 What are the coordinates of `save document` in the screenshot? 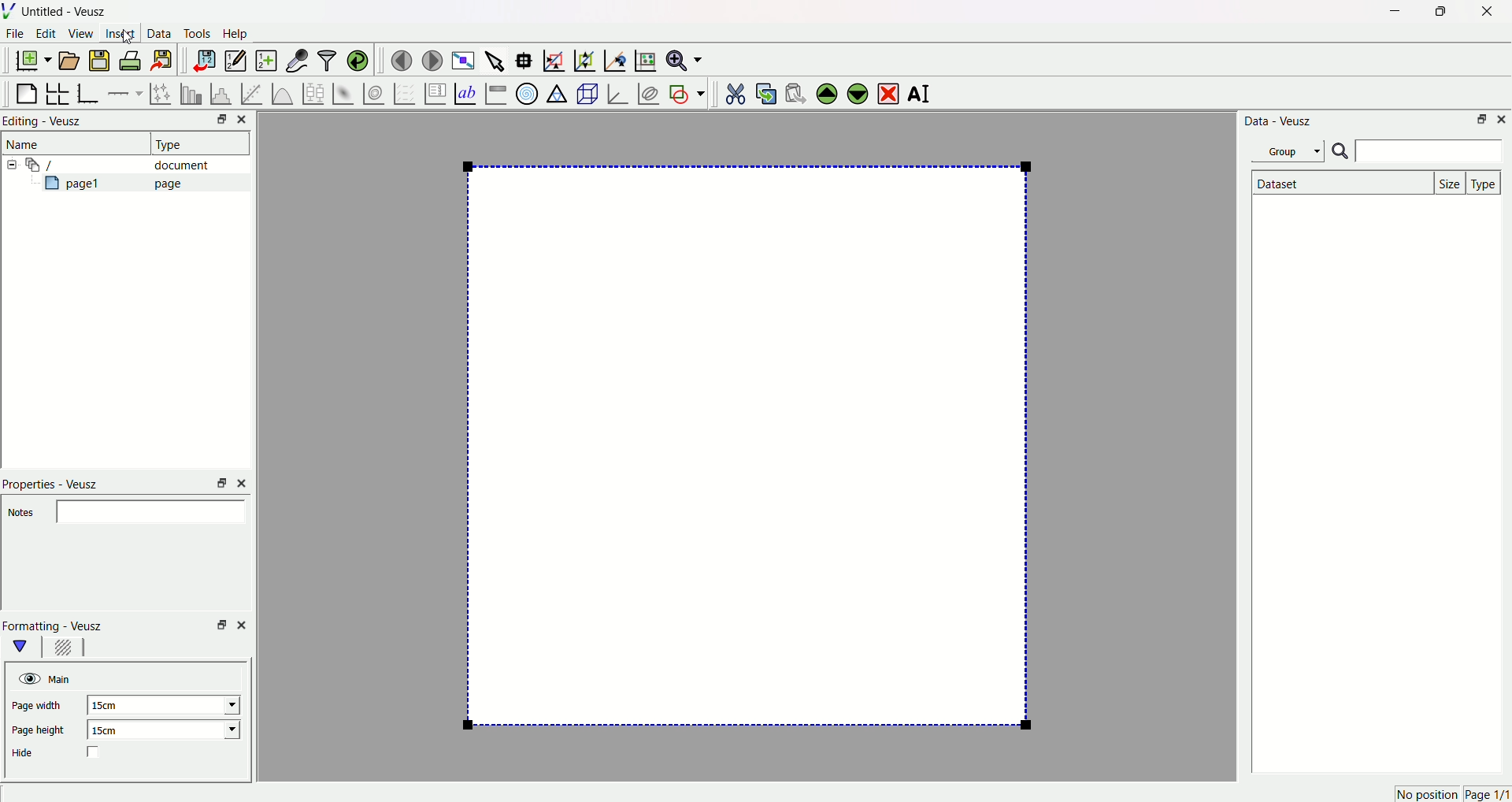 It's located at (102, 60).